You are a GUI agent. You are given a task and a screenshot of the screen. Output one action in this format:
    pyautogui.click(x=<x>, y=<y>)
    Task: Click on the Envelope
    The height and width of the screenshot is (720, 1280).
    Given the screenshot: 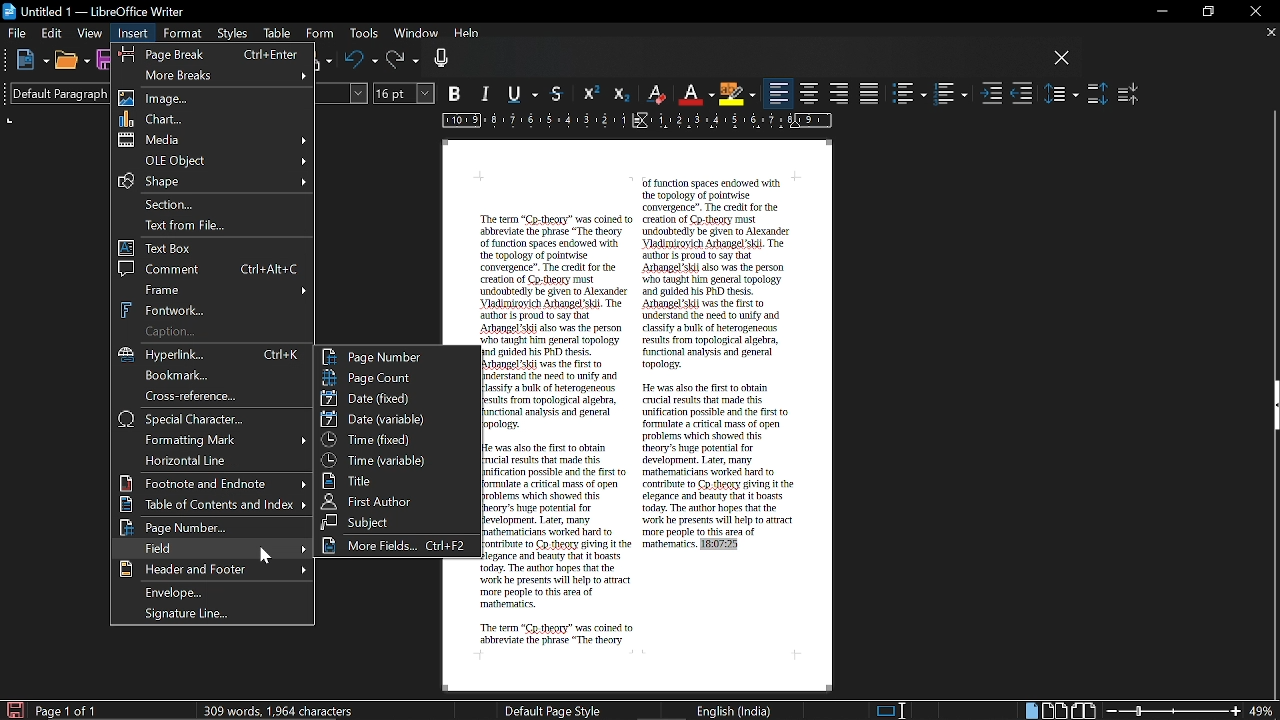 What is the action you would take?
    pyautogui.click(x=215, y=592)
    